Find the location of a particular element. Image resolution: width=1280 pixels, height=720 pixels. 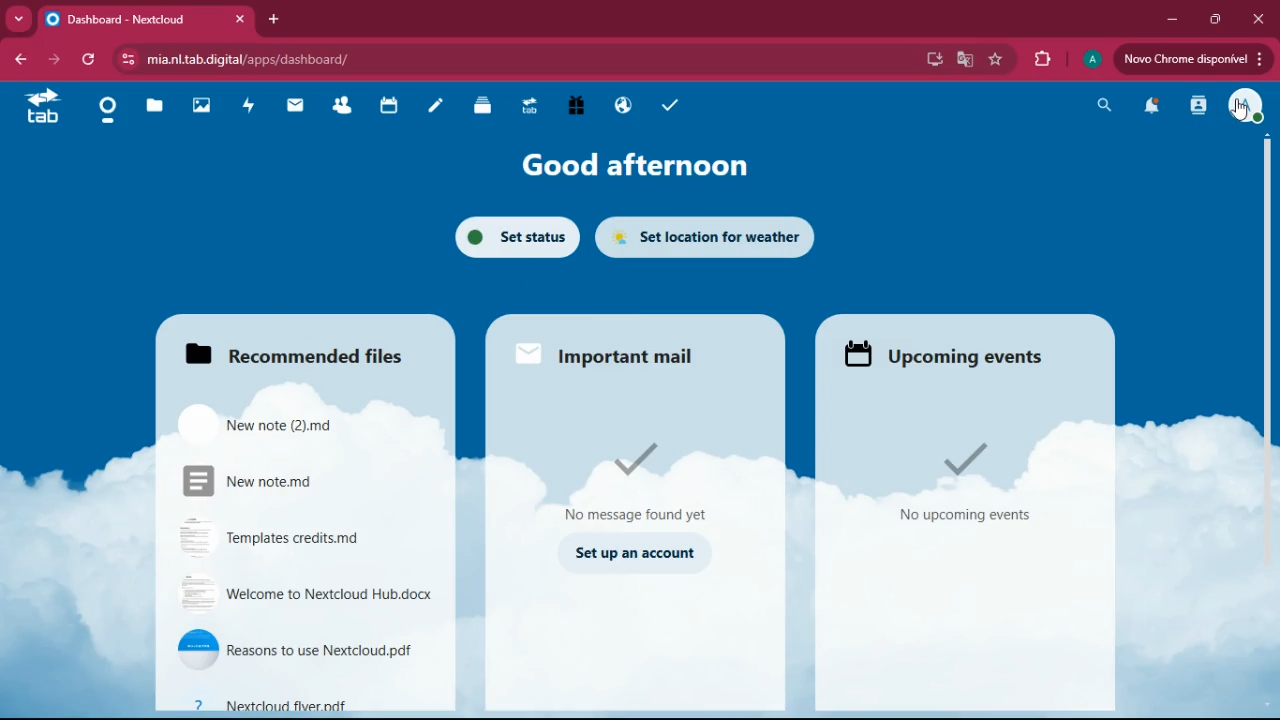

images is located at coordinates (201, 107).